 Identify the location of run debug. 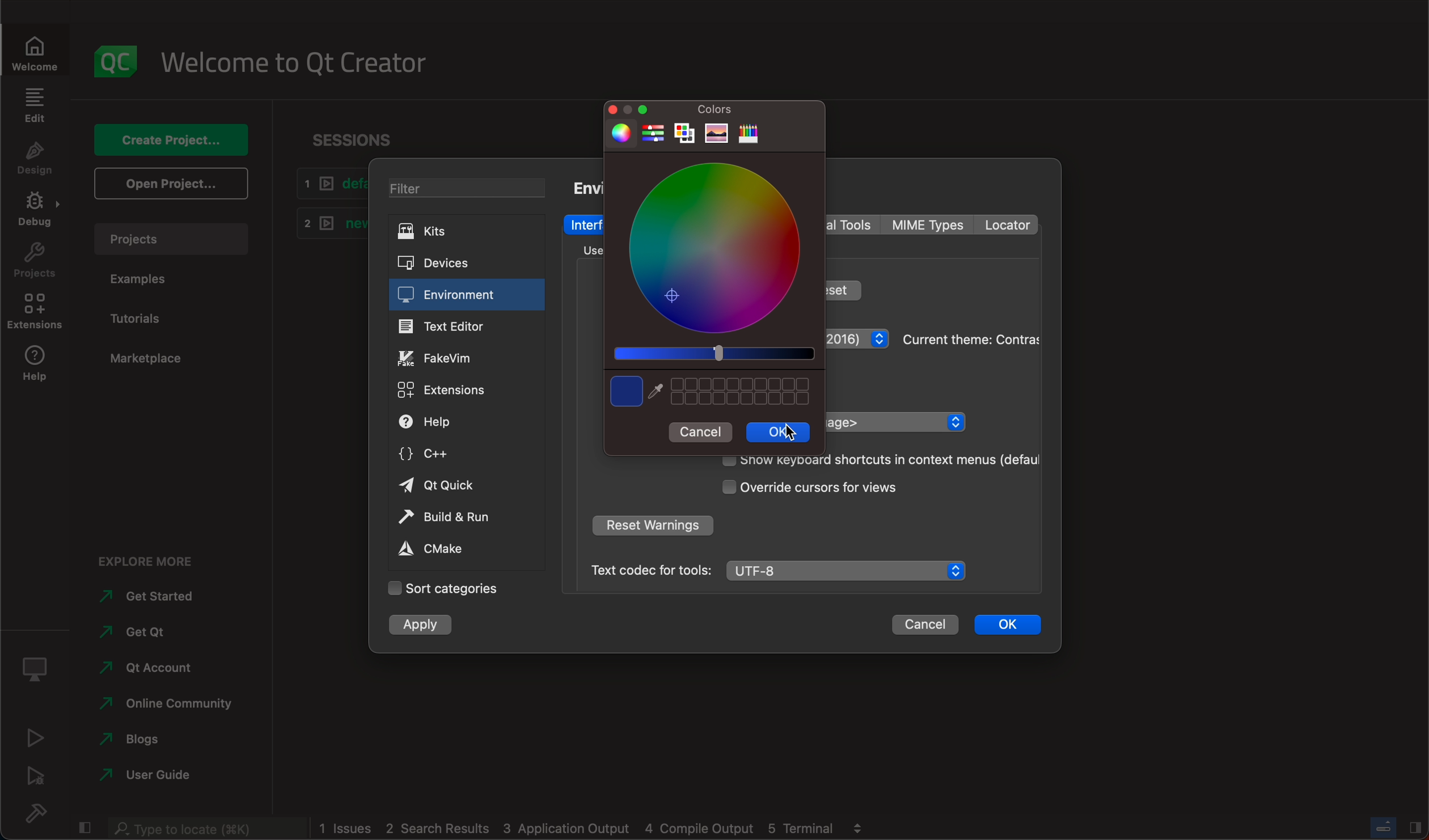
(38, 775).